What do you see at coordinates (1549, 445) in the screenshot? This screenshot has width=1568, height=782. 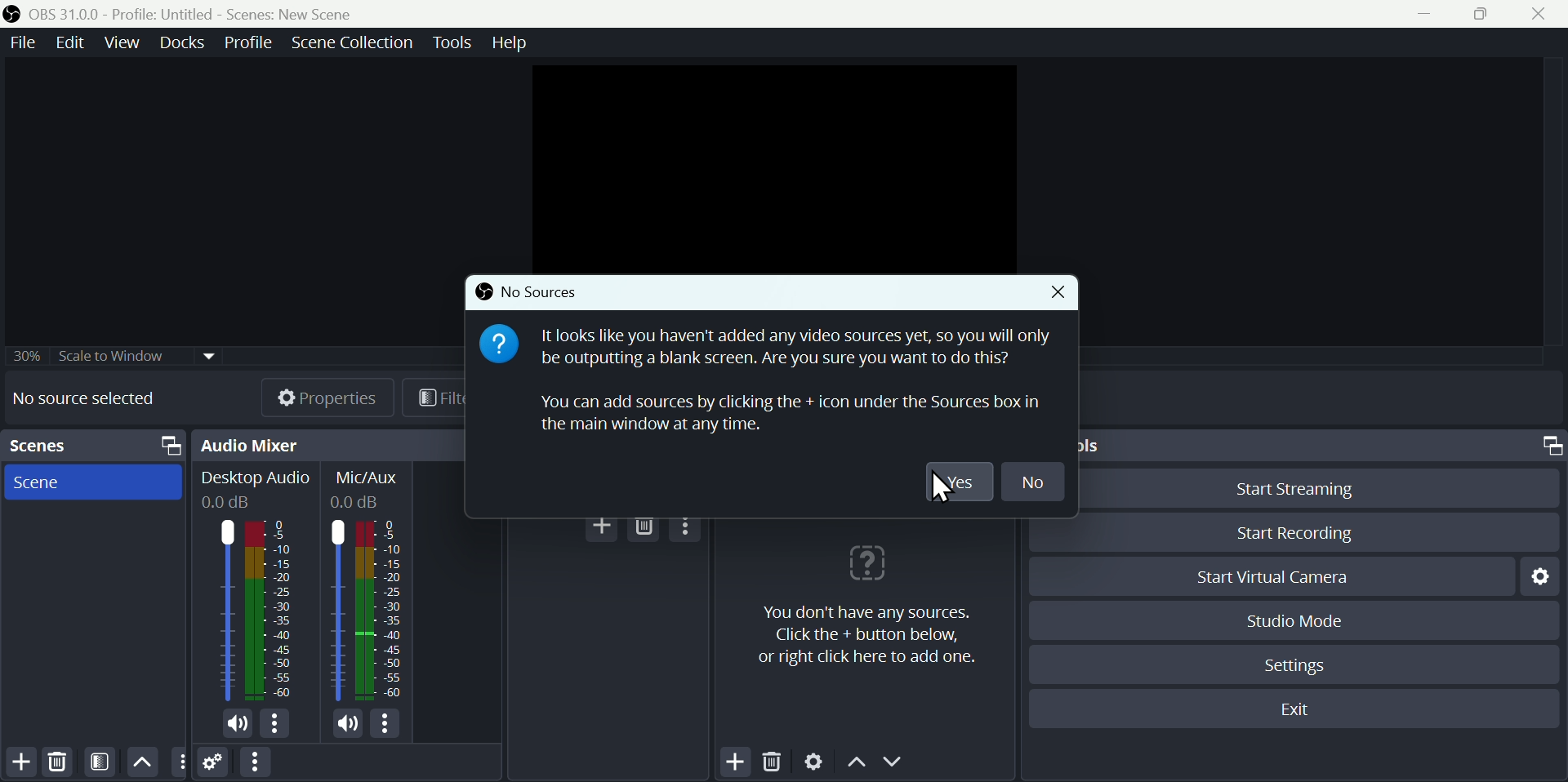 I see `maximize` at bounding box center [1549, 445].